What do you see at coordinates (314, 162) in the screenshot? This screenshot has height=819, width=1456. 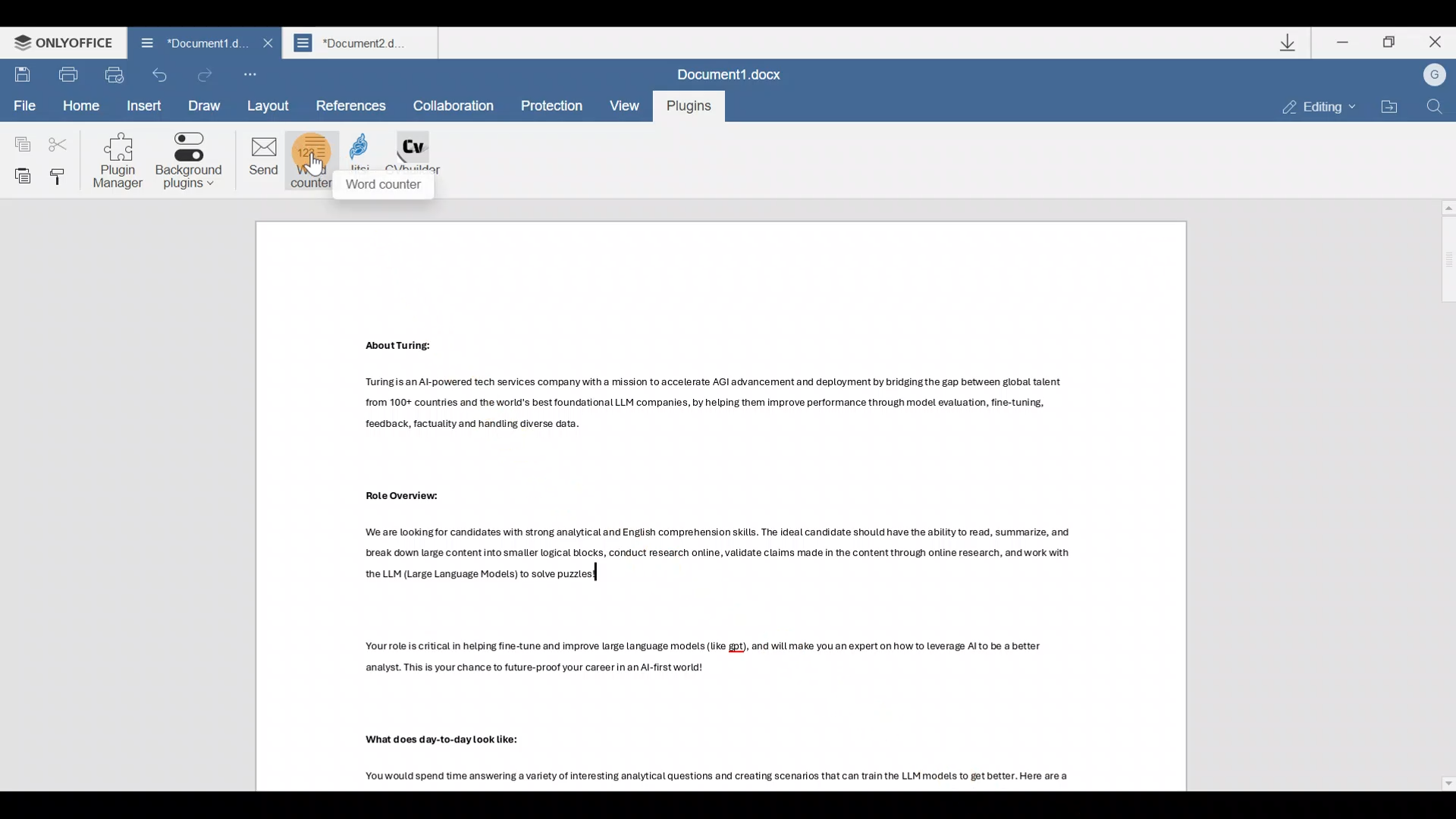 I see `Word counter` at bounding box center [314, 162].